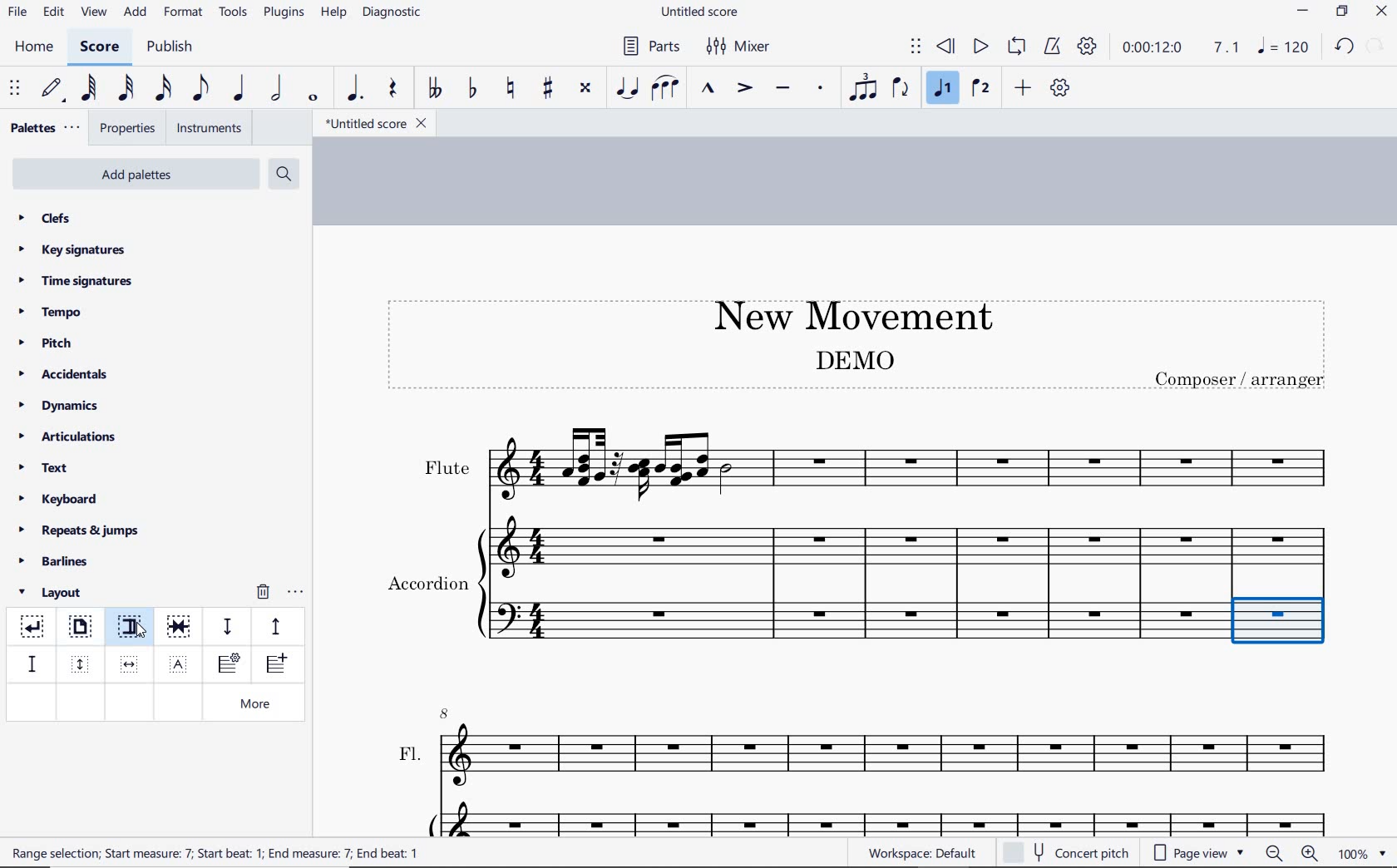  Describe the element at coordinates (79, 629) in the screenshot. I see `page break` at that location.